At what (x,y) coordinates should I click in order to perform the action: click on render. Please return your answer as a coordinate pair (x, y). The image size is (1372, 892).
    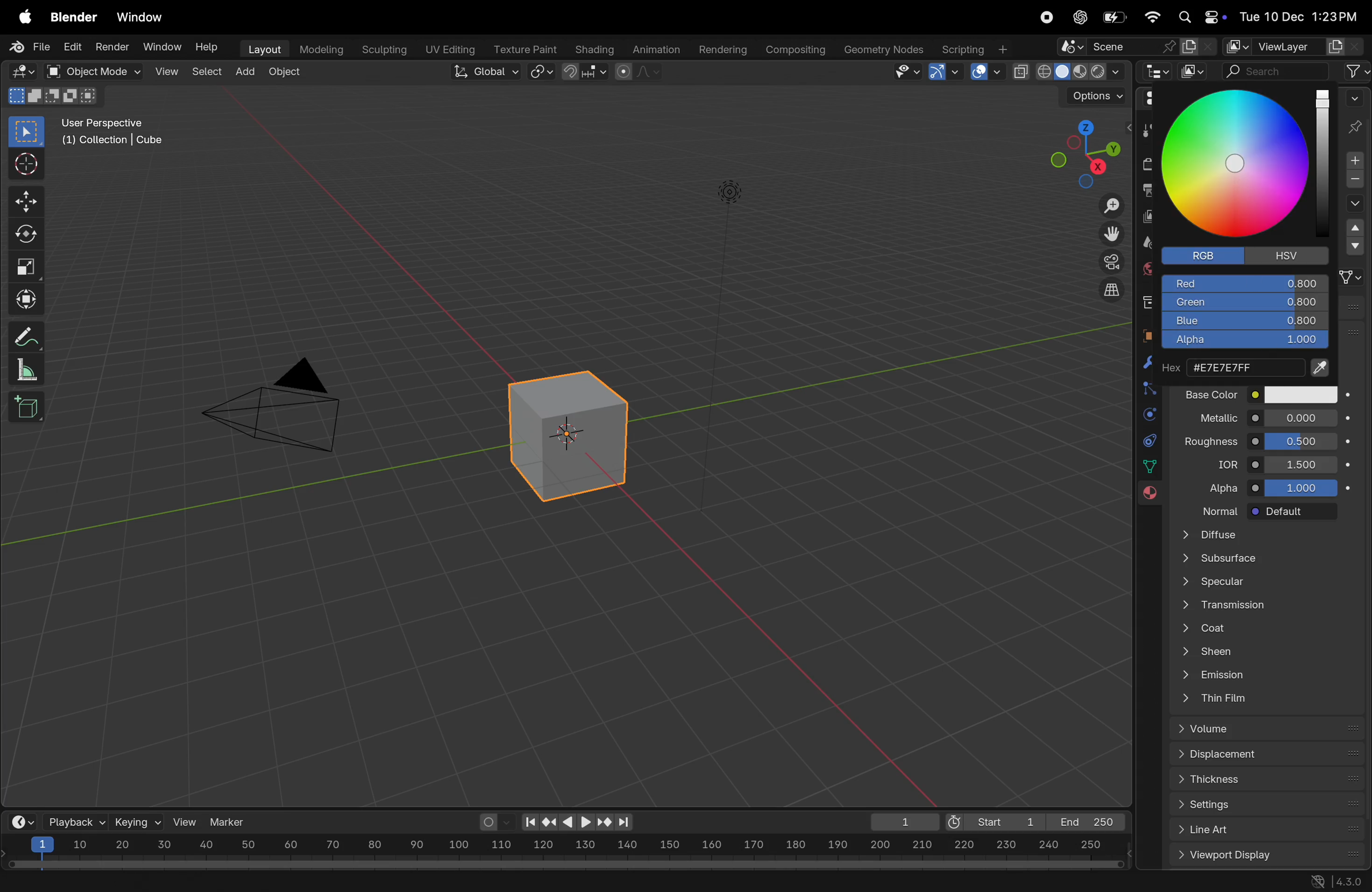
    Looking at the image, I should click on (110, 46).